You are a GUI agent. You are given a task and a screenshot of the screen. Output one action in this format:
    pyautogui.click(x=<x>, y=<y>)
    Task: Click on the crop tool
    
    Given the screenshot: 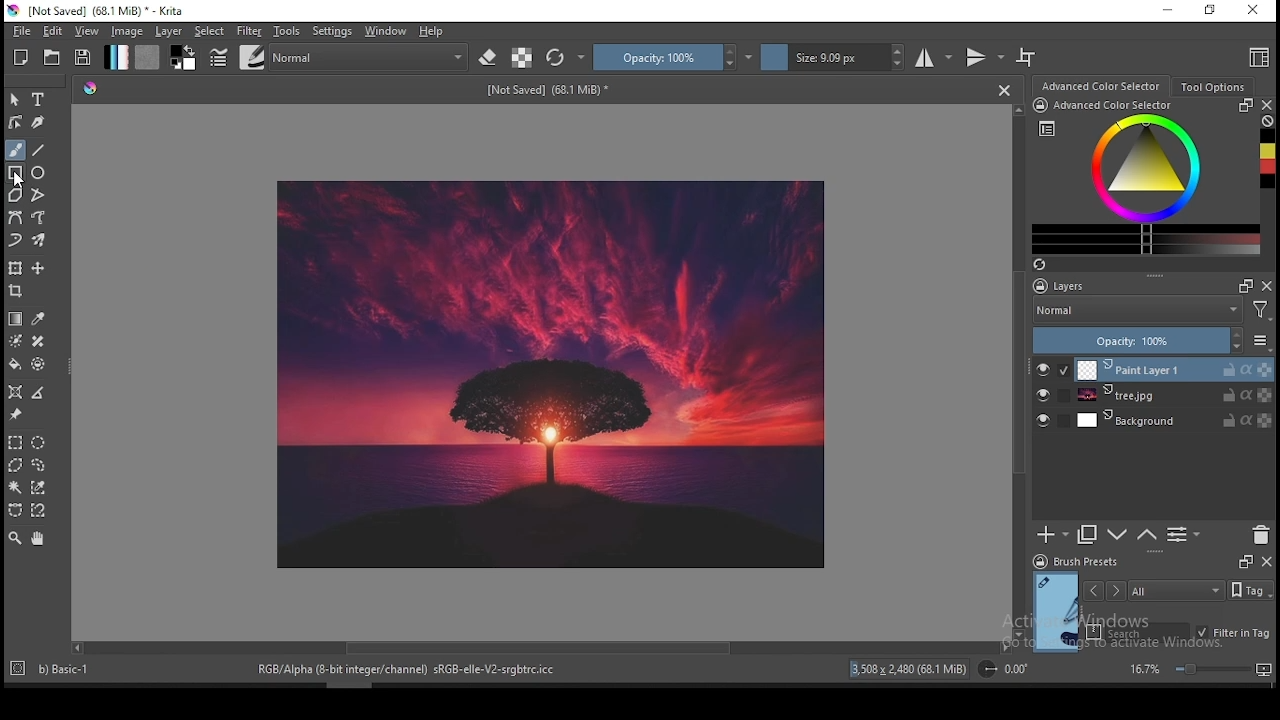 What is the action you would take?
    pyautogui.click(x=18, y=291)
    